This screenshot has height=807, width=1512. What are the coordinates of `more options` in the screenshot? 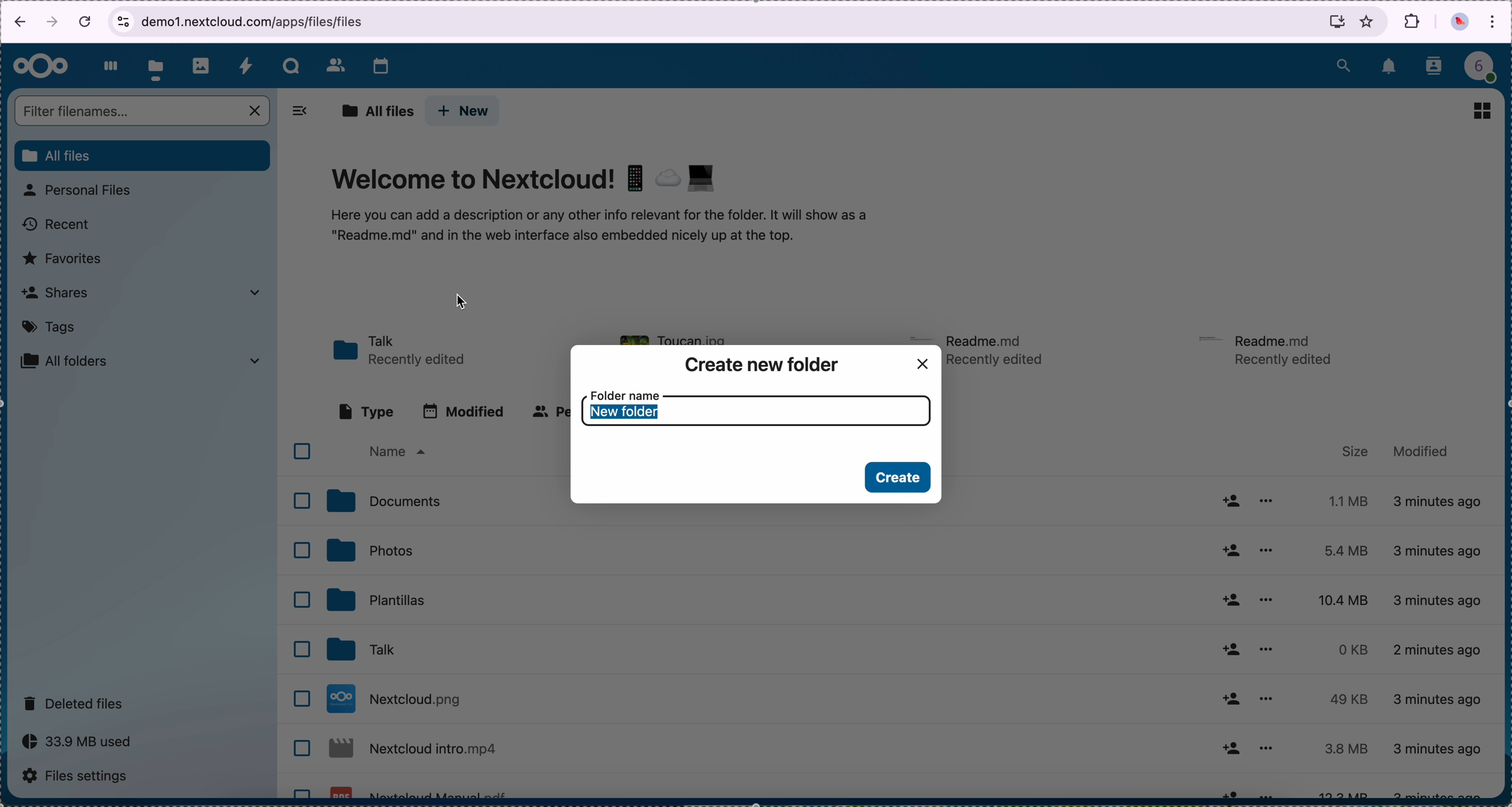 It's located at (1266, 549).